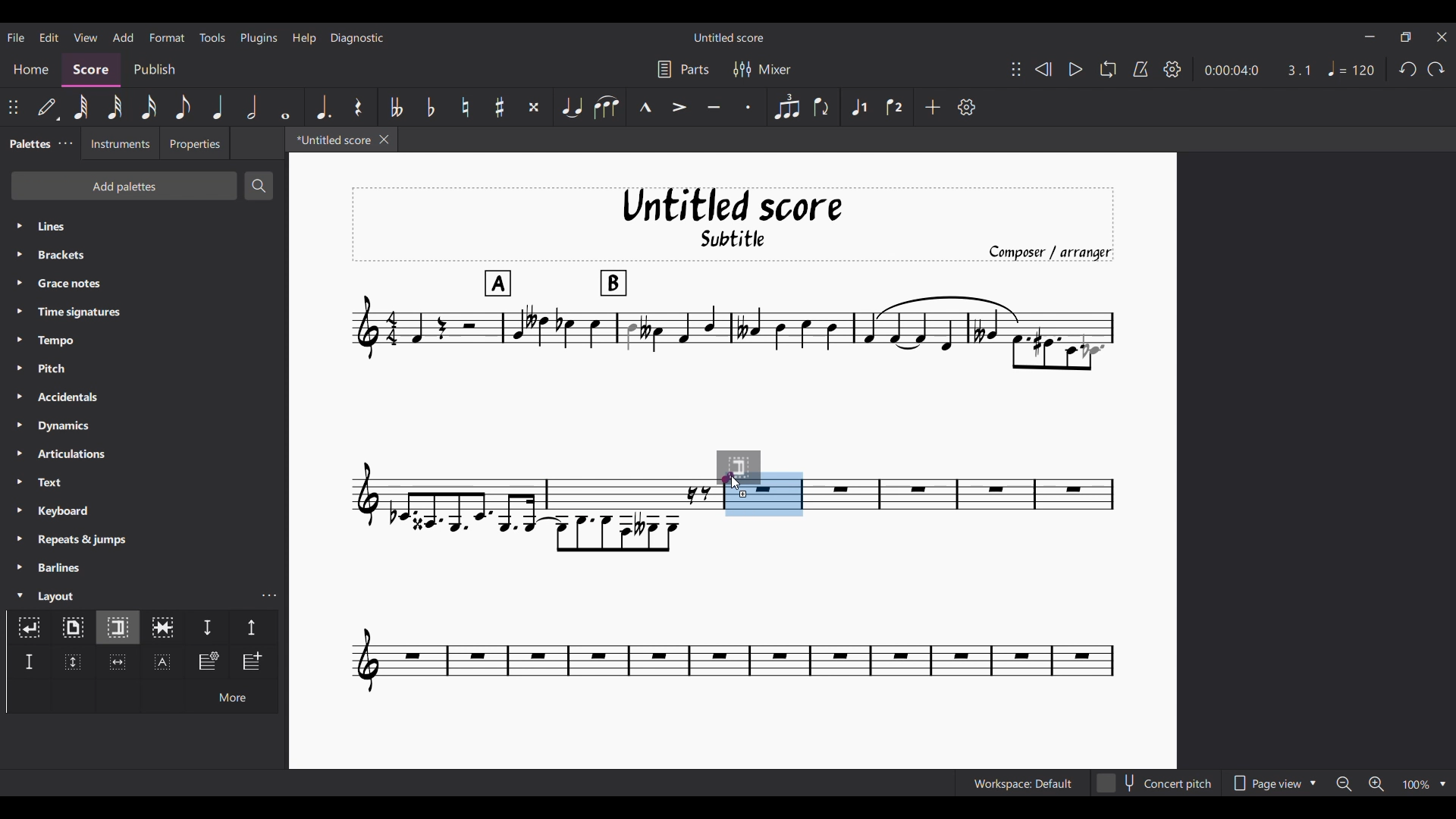 Image resolution: width=1456 pixels, height=819 pixels. Describe the element at coordinates (30, 70) in the screenshot. I see `Home section` at that location.